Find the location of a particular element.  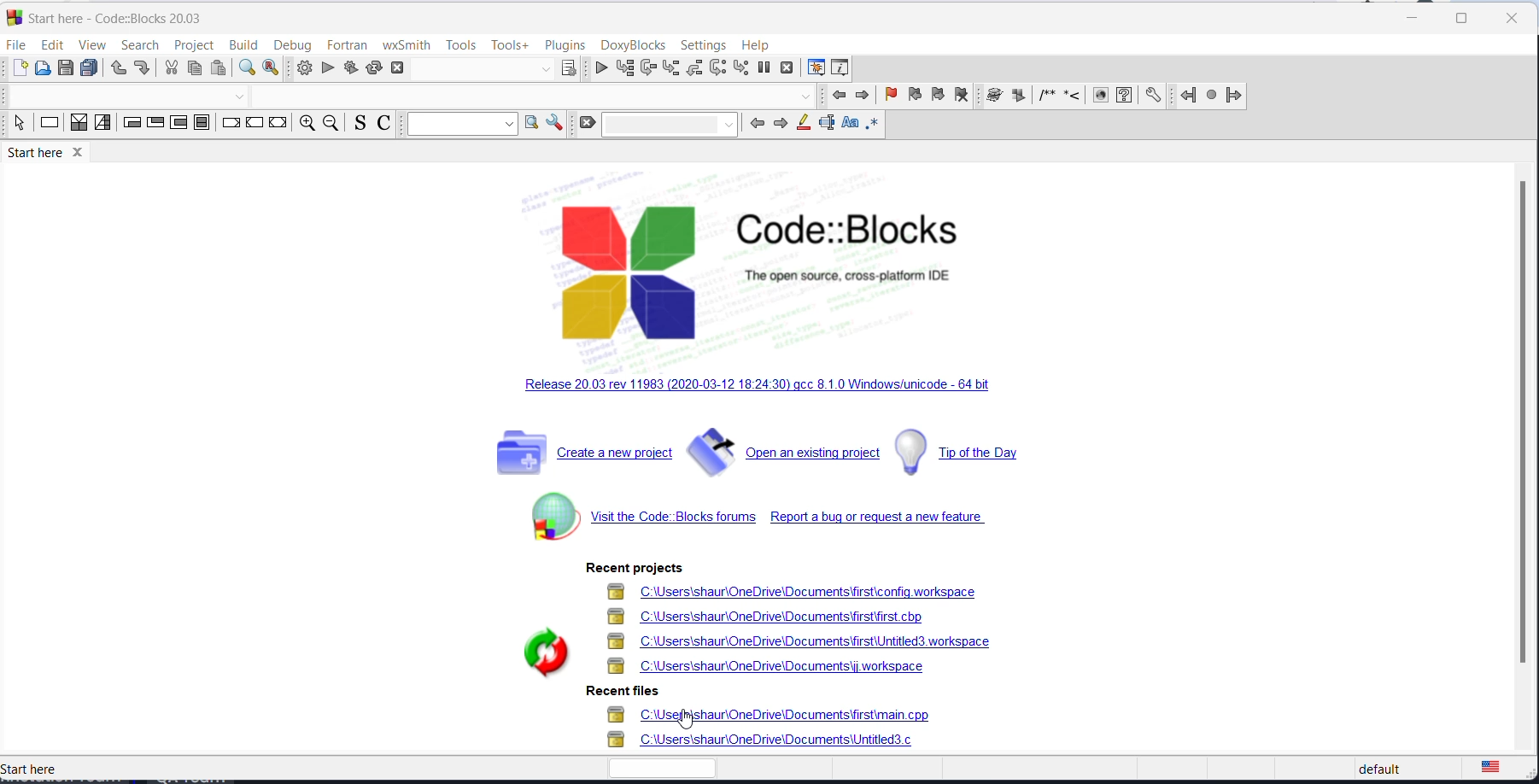

dropdown is located at coordinates (806, 97).